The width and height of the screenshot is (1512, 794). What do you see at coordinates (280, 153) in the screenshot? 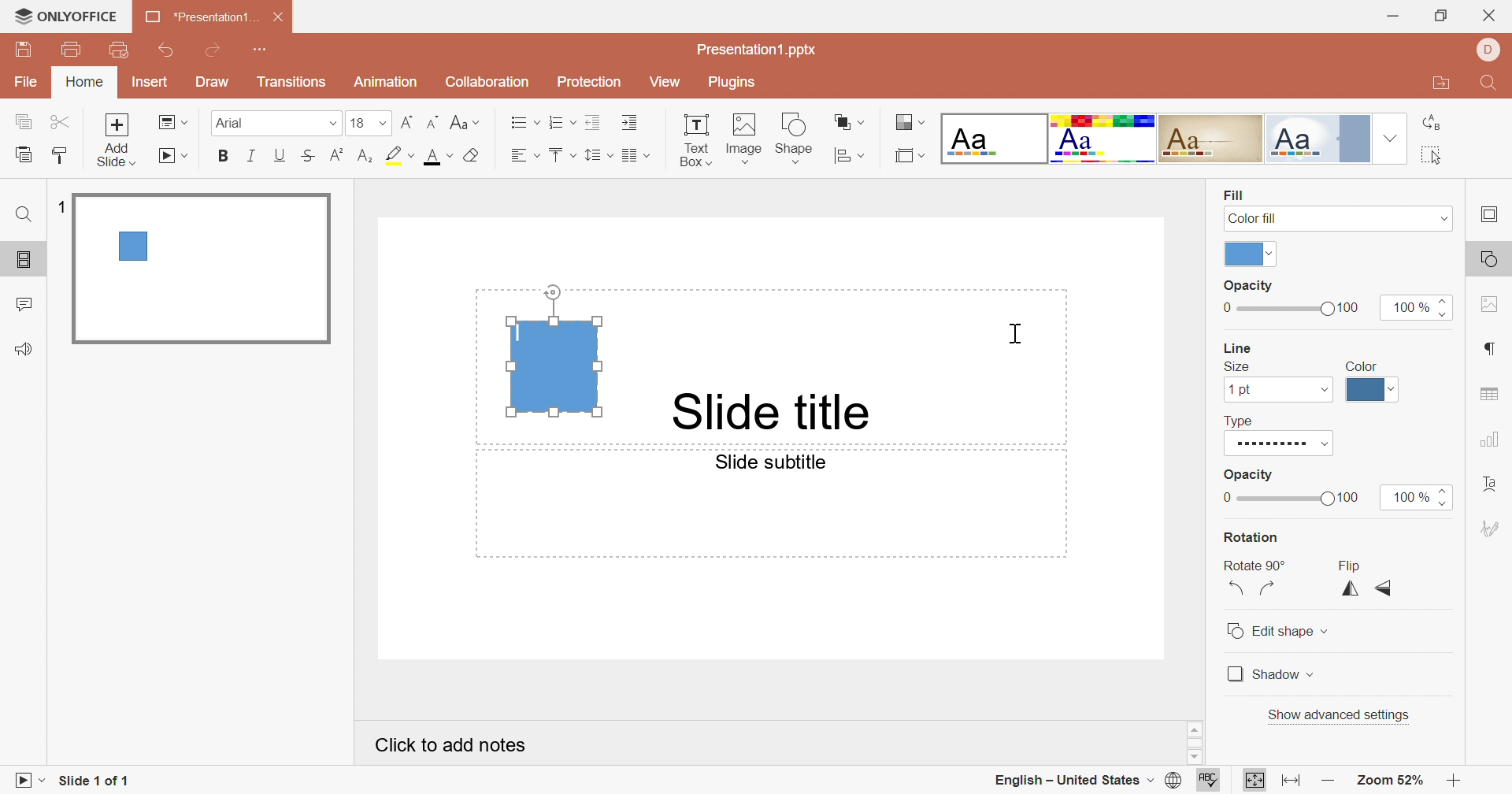
I see `Underline` at bounding box center [280, 153].